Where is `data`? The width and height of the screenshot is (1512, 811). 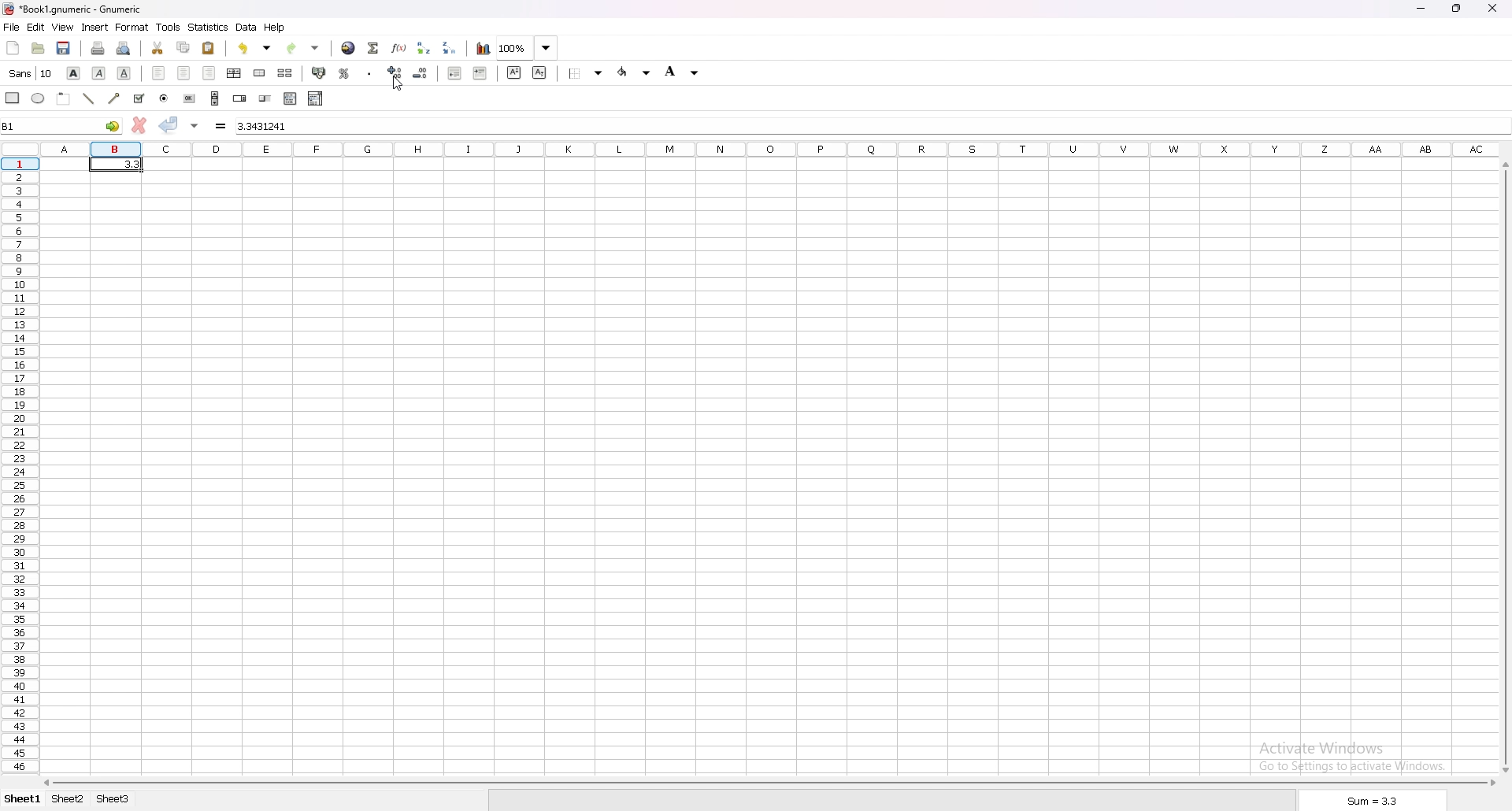
data is located at coordinates (247, 27).